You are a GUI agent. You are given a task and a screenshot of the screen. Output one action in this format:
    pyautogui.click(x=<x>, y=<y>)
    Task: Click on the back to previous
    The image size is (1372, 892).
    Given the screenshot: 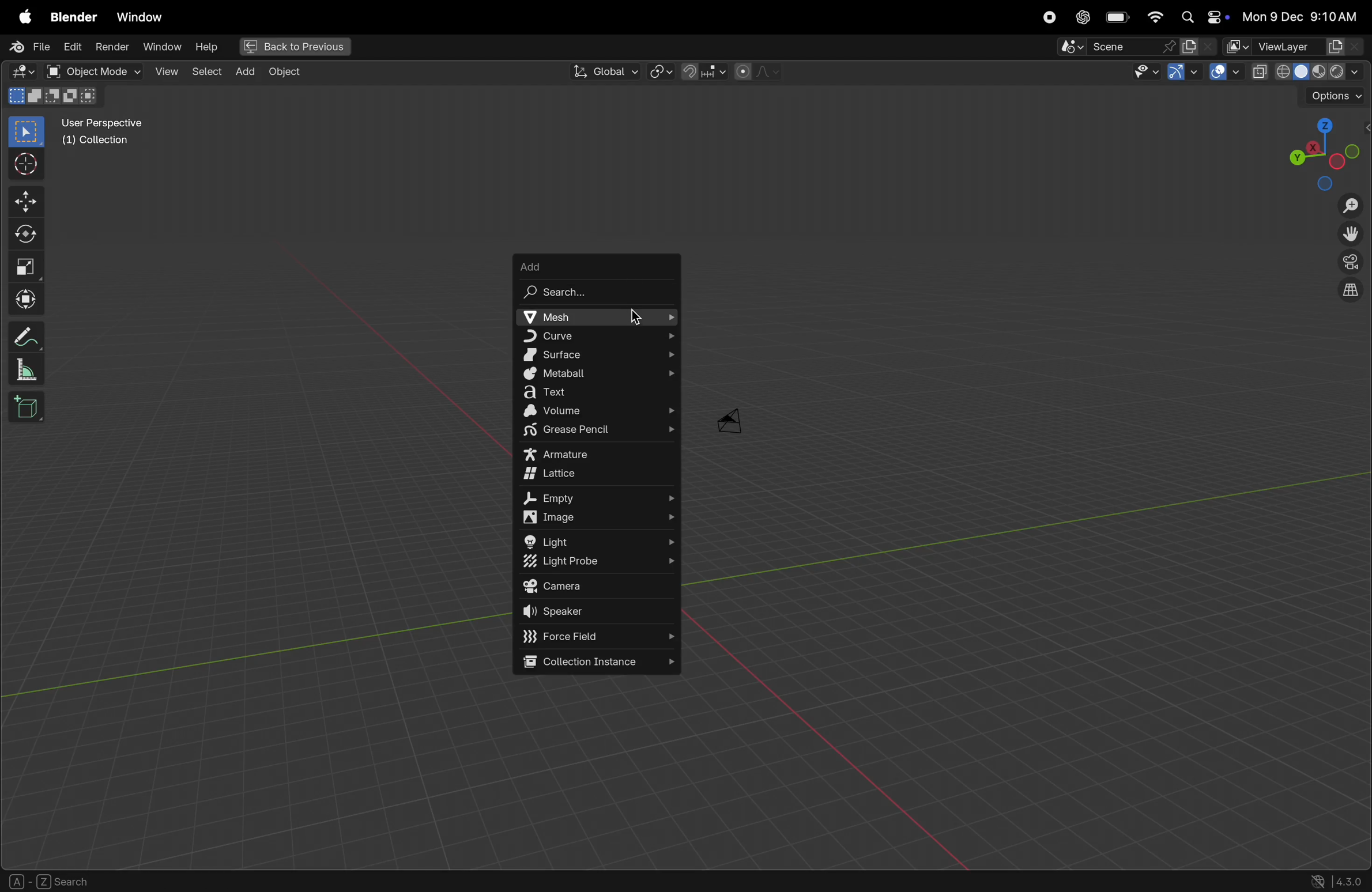 What is the action you would take?
    pyautogui.click(x=293, y=48)
    